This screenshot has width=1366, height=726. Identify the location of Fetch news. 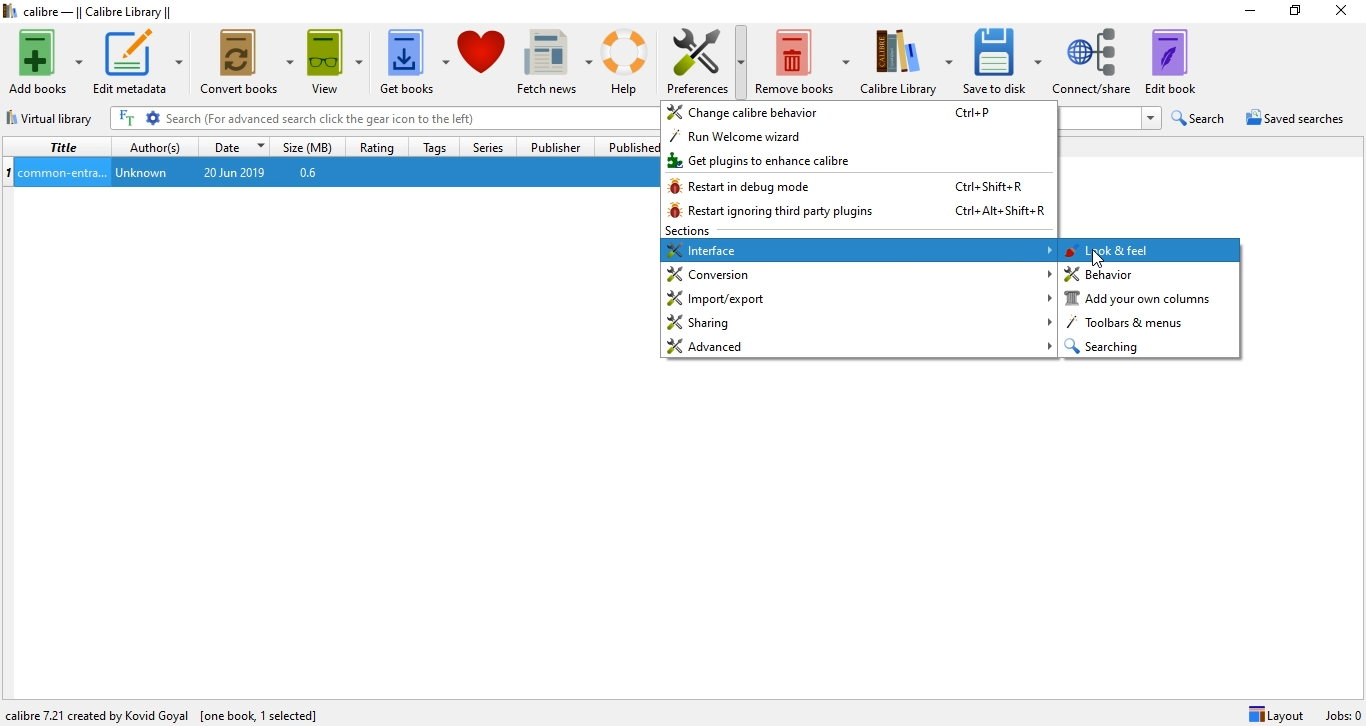
(553, 57).